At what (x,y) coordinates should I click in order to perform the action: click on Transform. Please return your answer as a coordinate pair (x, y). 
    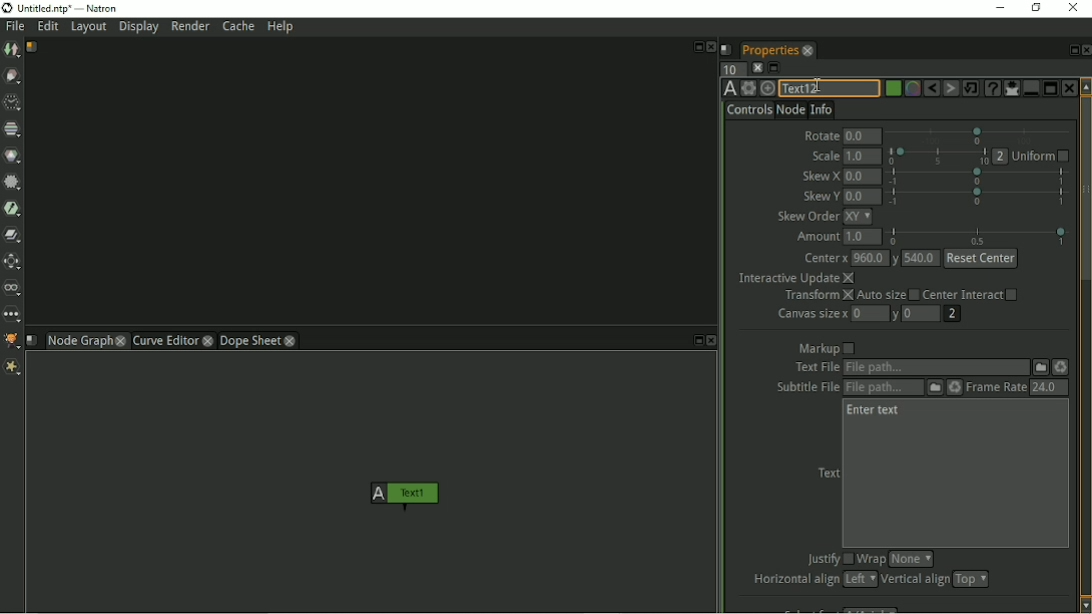
    Looking at the image, I should click on (817, 296).